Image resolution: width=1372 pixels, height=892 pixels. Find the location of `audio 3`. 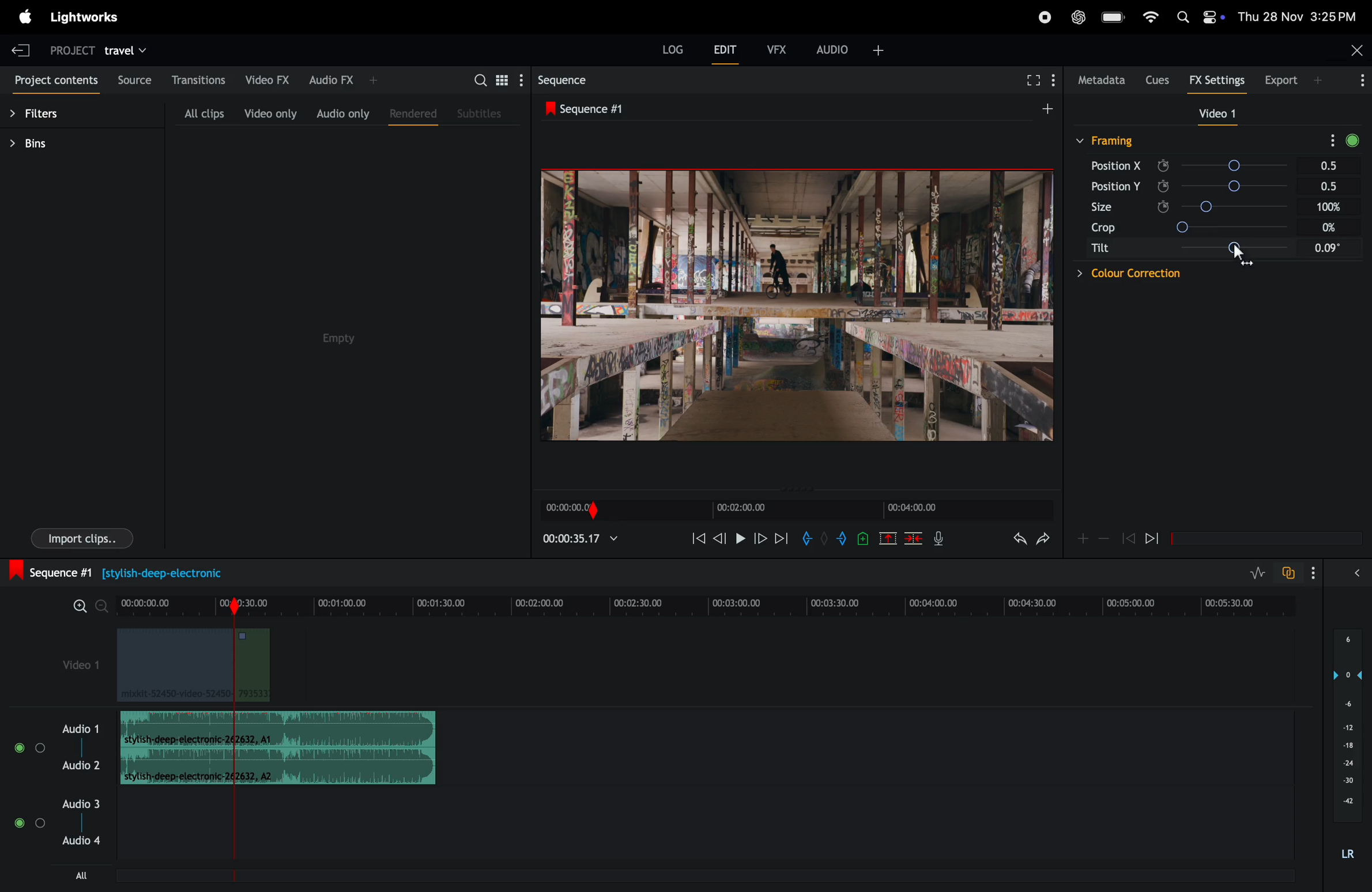

audio 3 is located at coordinates (57, 806).